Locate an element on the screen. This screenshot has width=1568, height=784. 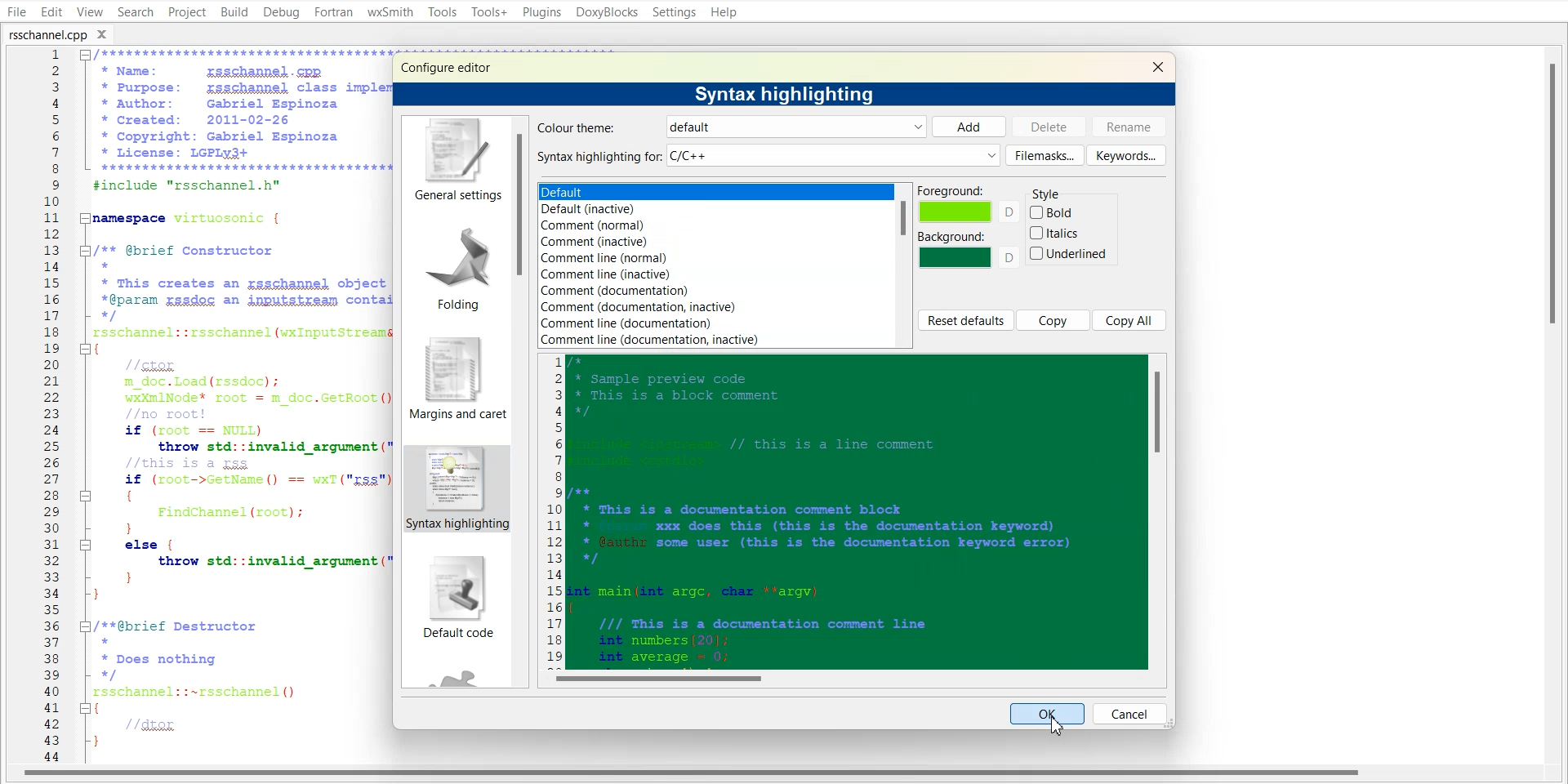
Close is located at coordinates (107, 33).